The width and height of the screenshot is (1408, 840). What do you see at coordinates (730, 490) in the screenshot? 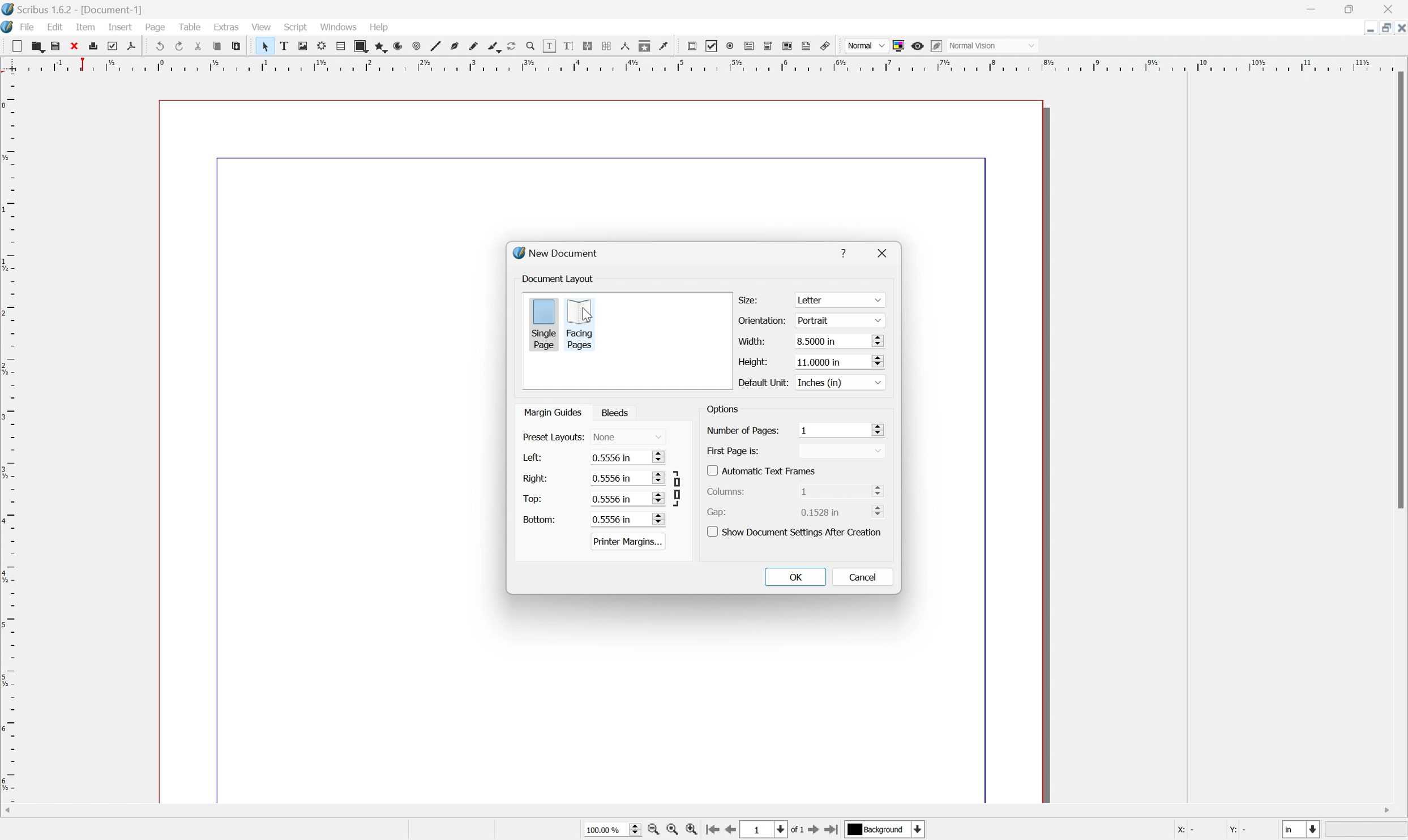
I see `columns:` at bounding box center [730, 490].